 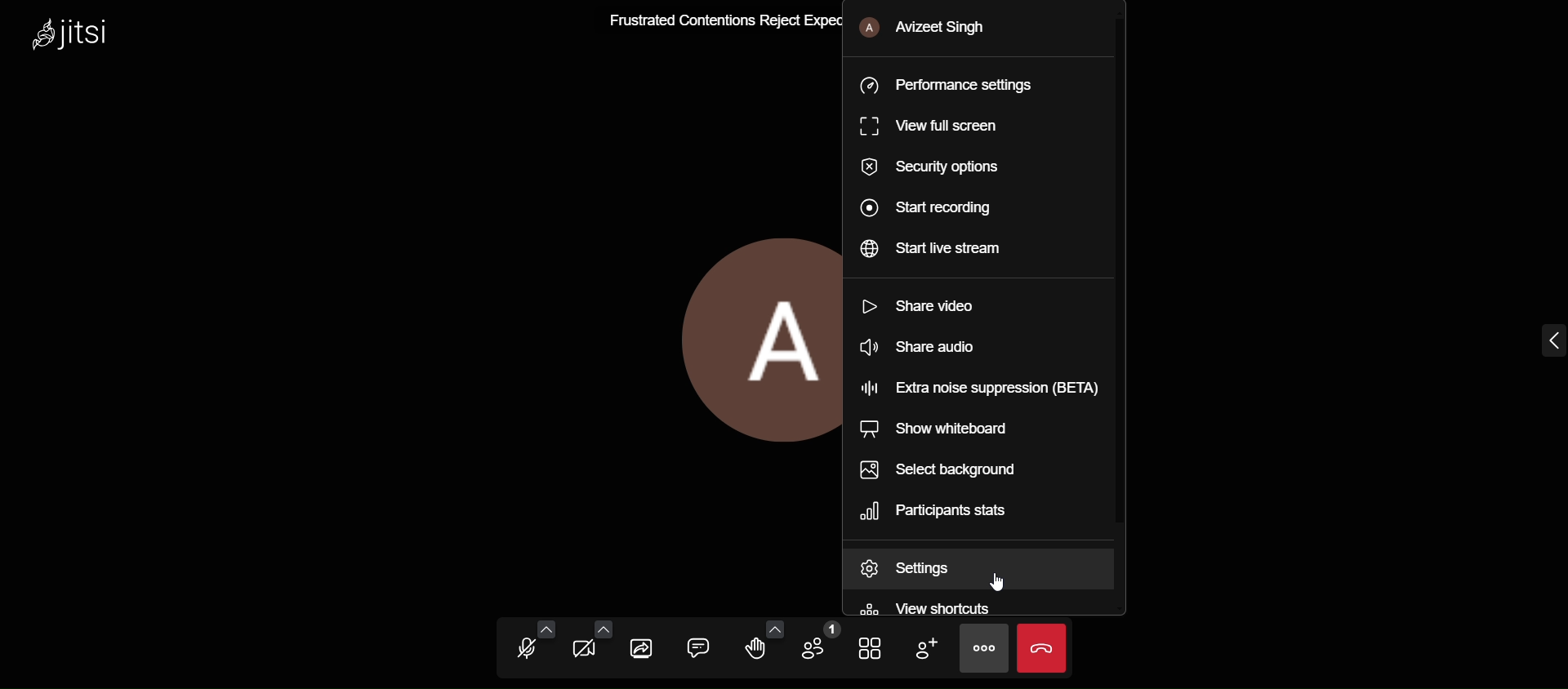 What do you see at coordinates (938, 511) in the screenshot?
I see `participants stats` at bounding box center [938, 511].